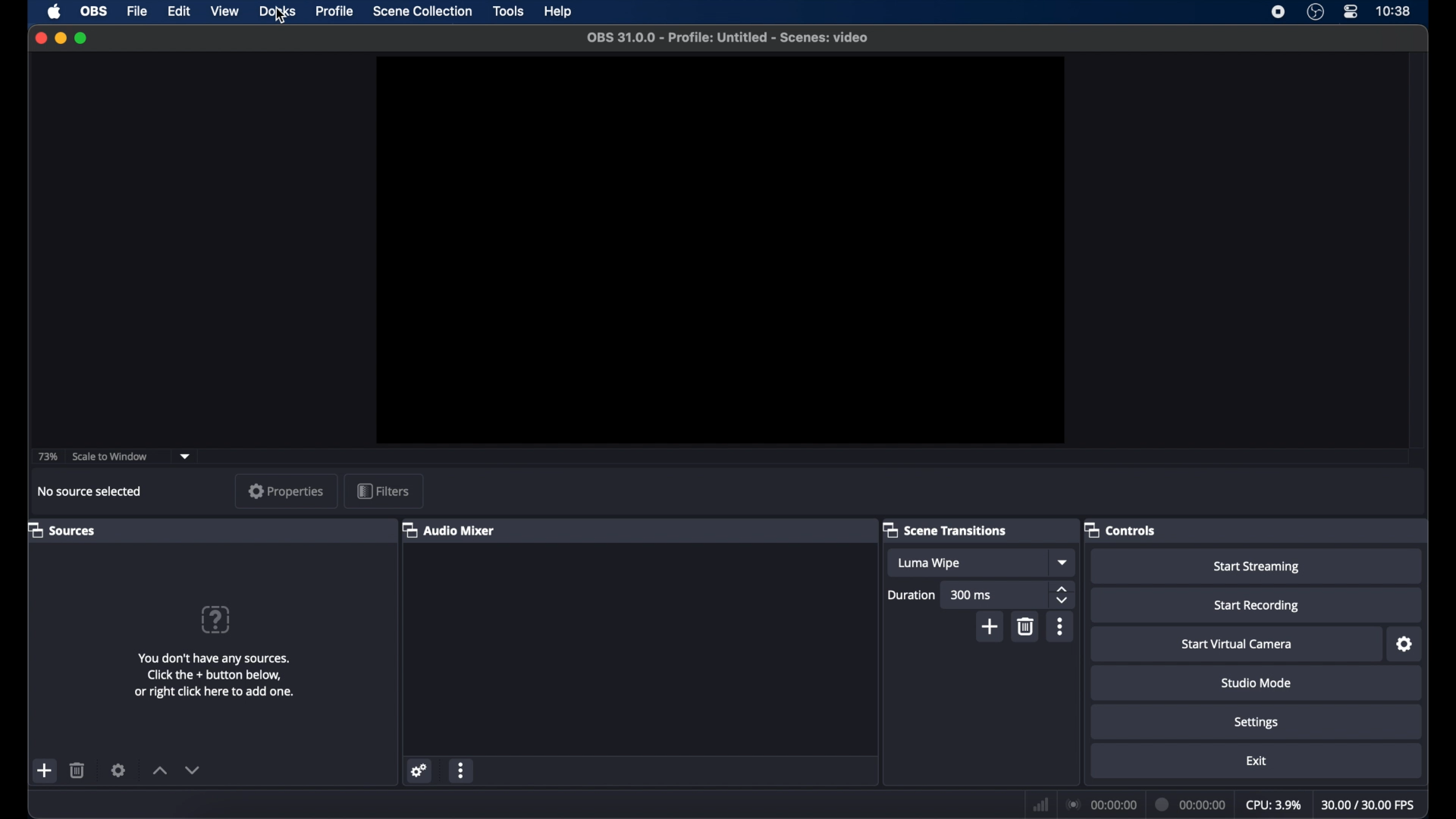  Describe the element at coordinates (1103, 805) in the screenshot. I see `00:00:00` at that location.